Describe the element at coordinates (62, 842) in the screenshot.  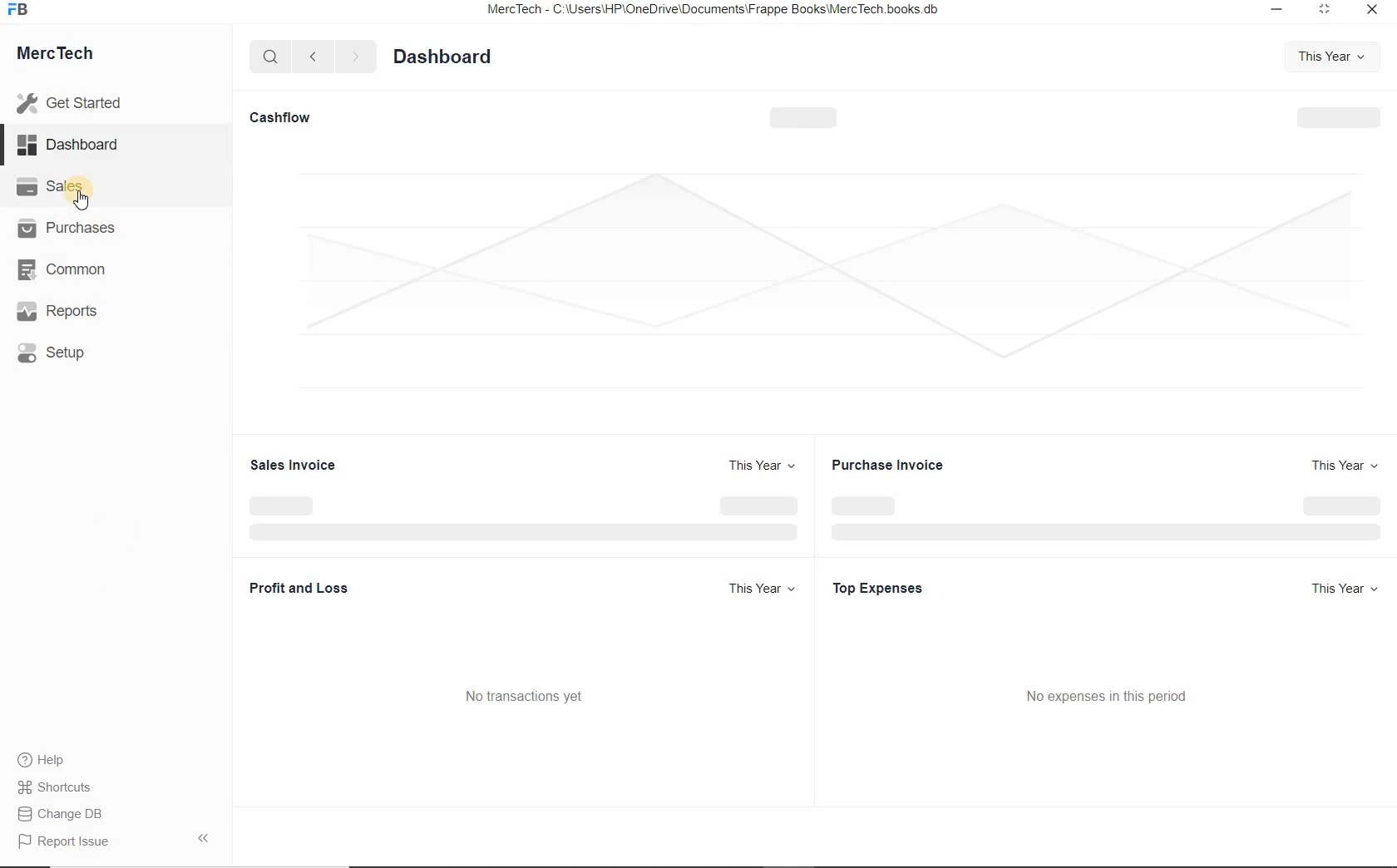
I see `Report Issue` at that location.